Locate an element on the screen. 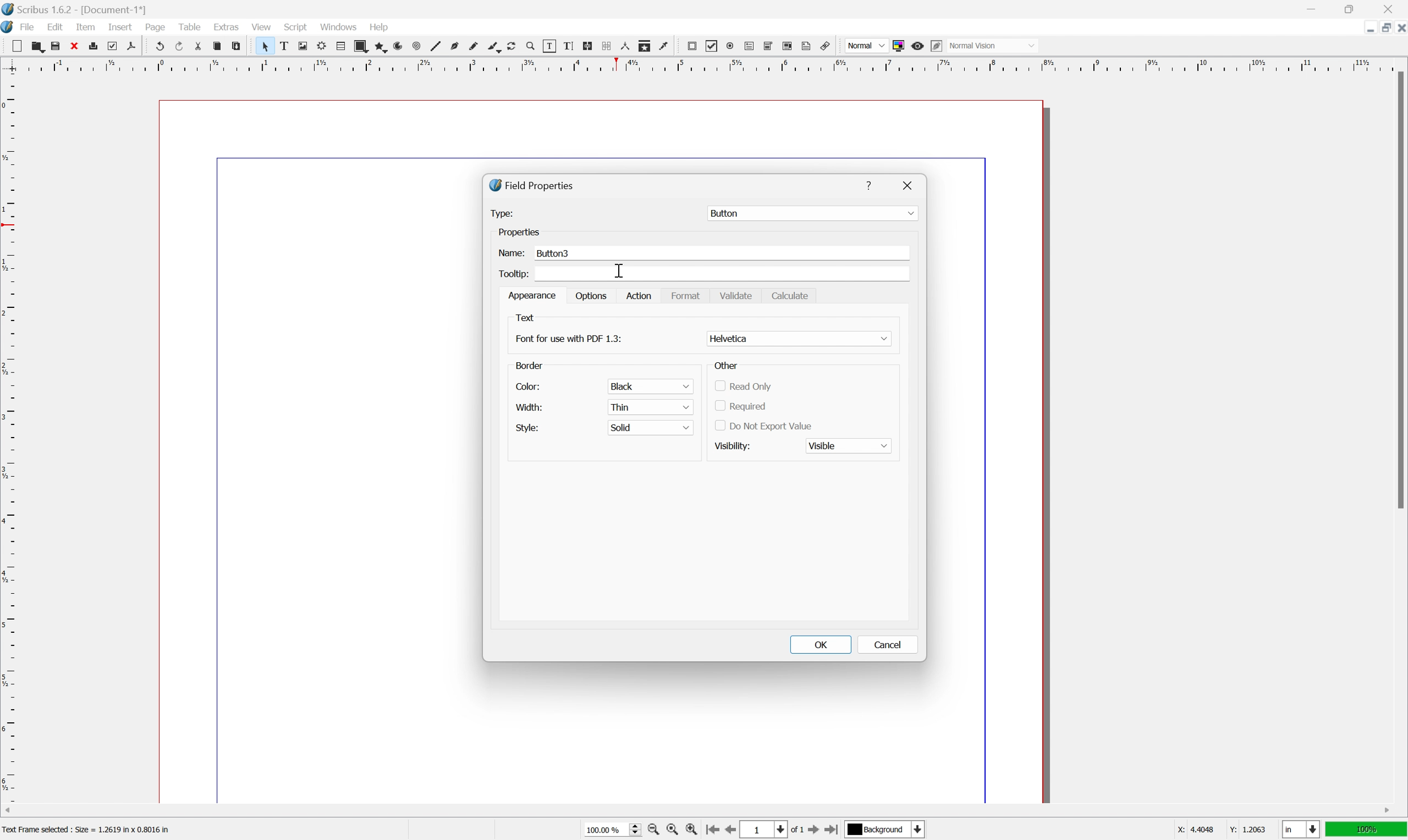 This screenshot has width=1408, height=840. 100.00% is located at coordinates (613, 831).